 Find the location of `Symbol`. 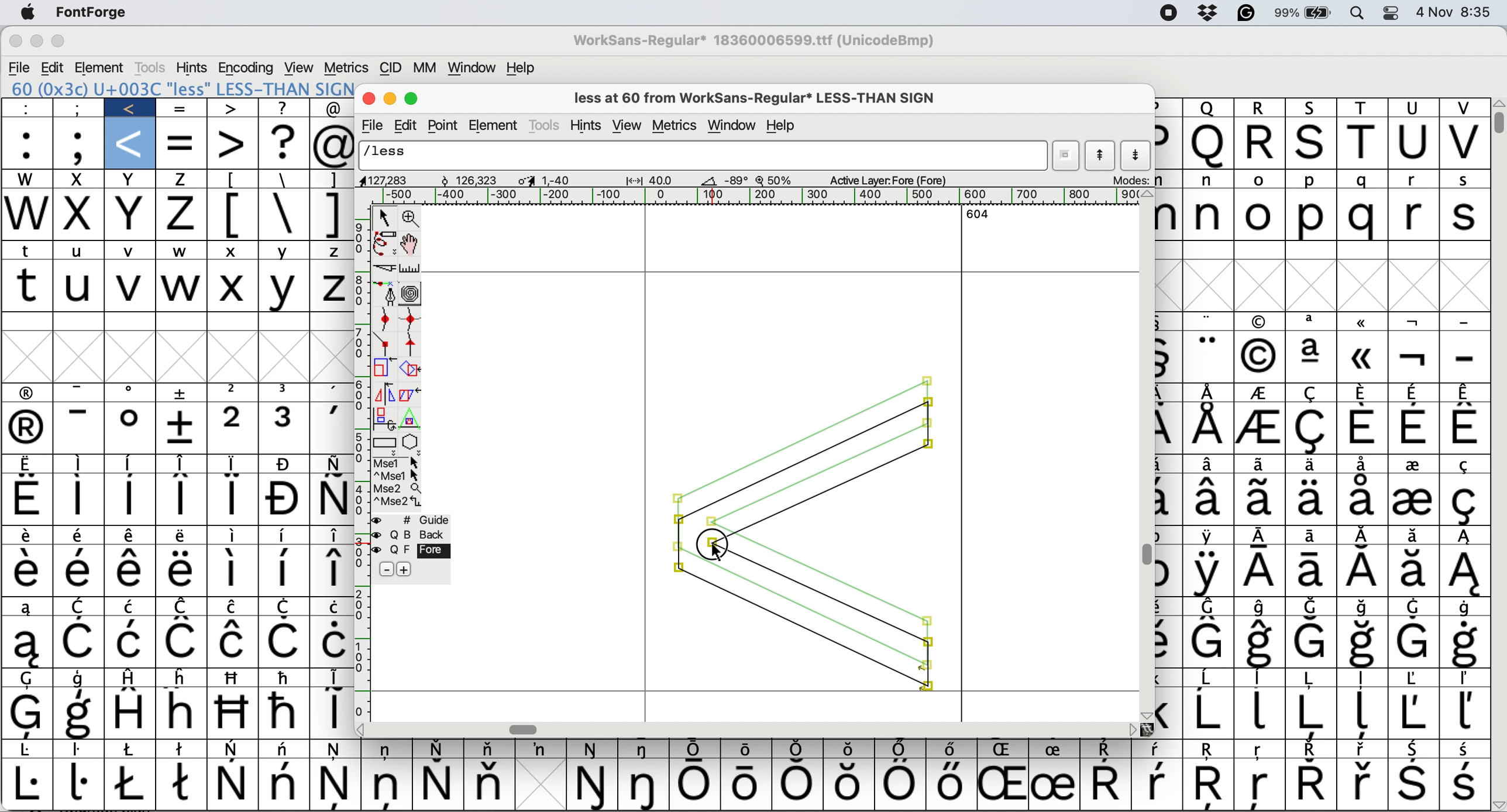

Symbol is located at coordinates (129, 500).